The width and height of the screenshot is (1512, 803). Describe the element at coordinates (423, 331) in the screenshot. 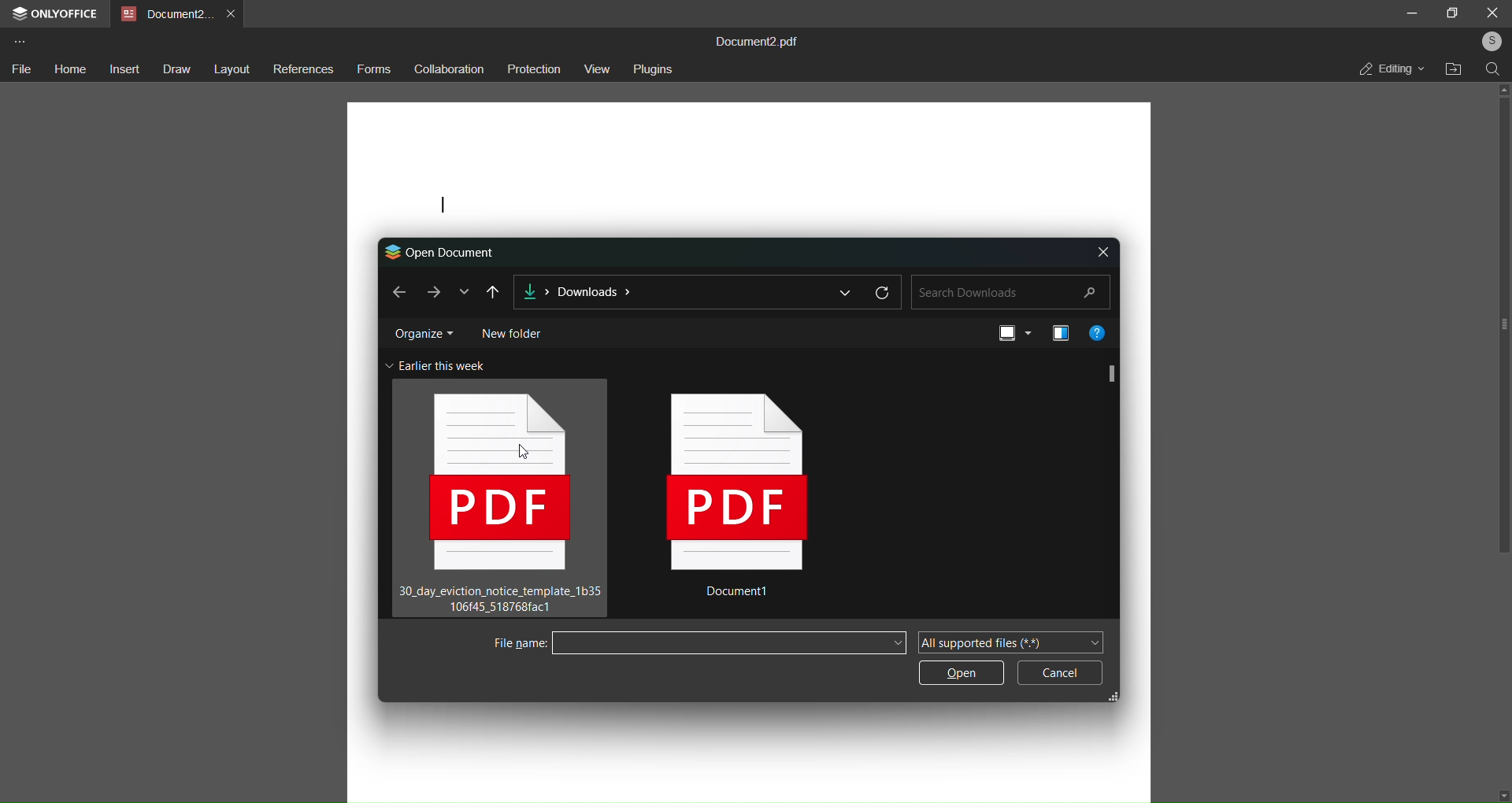

I see `organize` at that location.